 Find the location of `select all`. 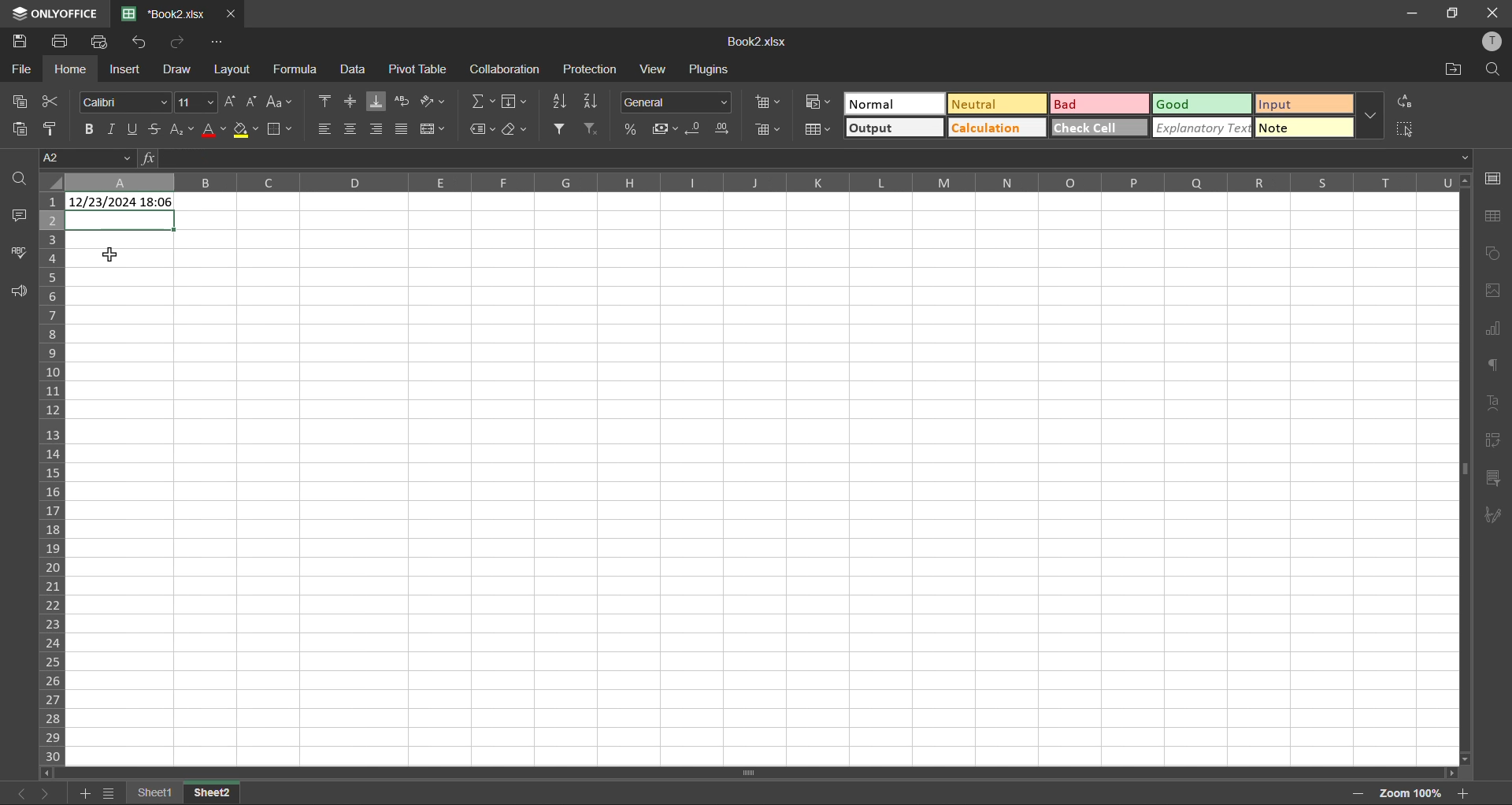

select all is located at coordinates (1406, 129).